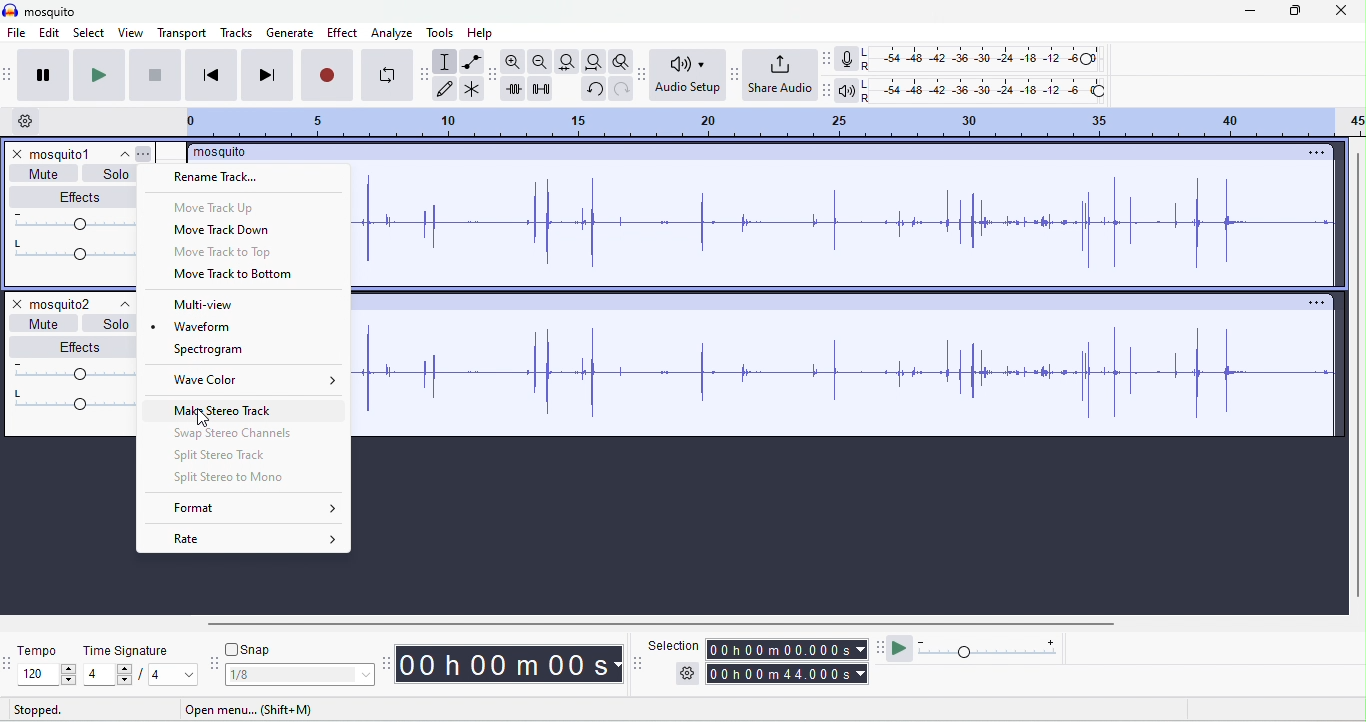 This screenshot has height=722, width=1366. Describe the element at coordinates (426, 74) in the screenshot. I see `audacity tools tool bar` at that location.